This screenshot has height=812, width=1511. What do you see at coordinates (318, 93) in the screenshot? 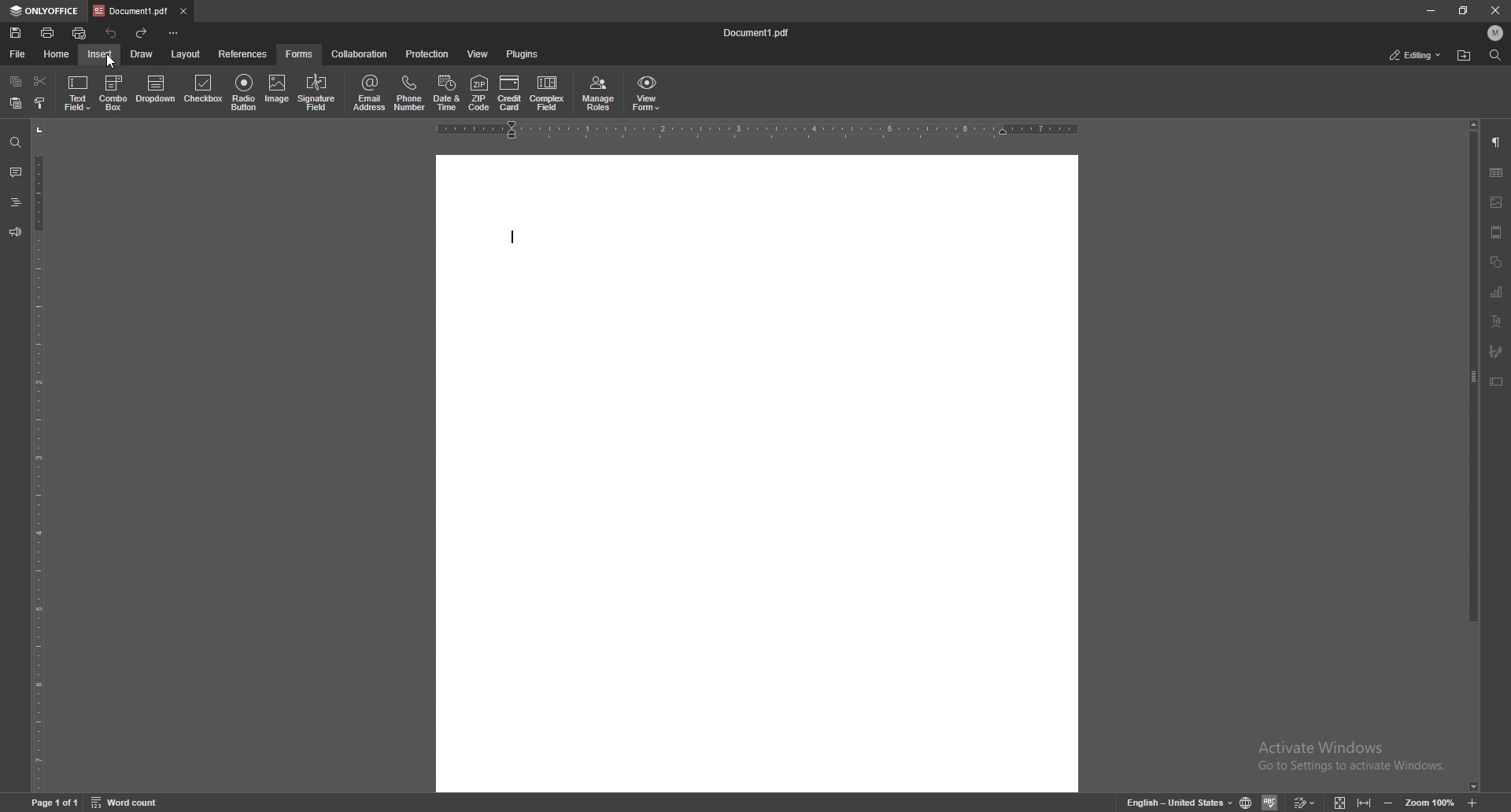
I see `signature field` at bounding box center [318, 93].